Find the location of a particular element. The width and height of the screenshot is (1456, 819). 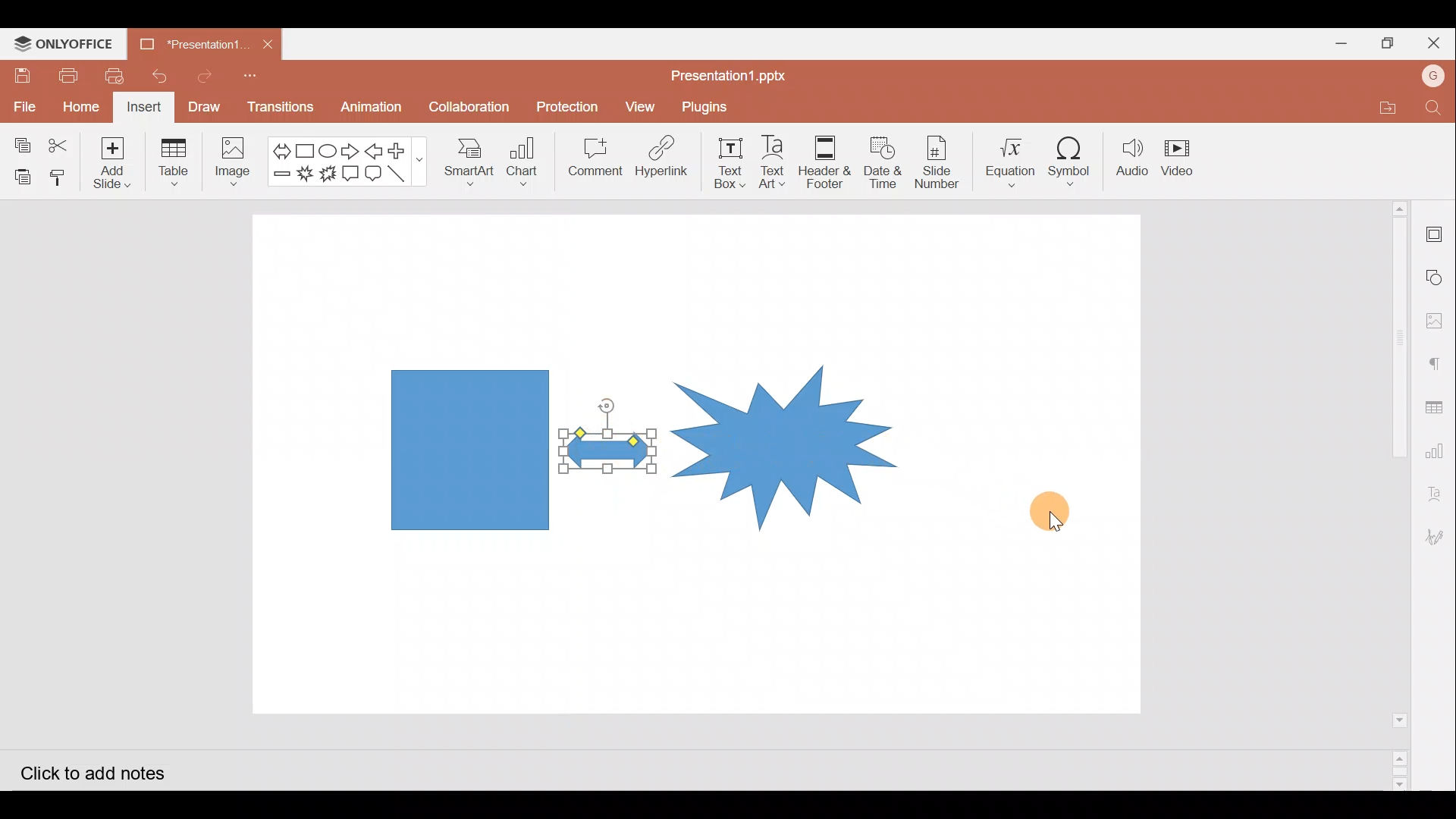

Close is located at coordinates (1432, 42).